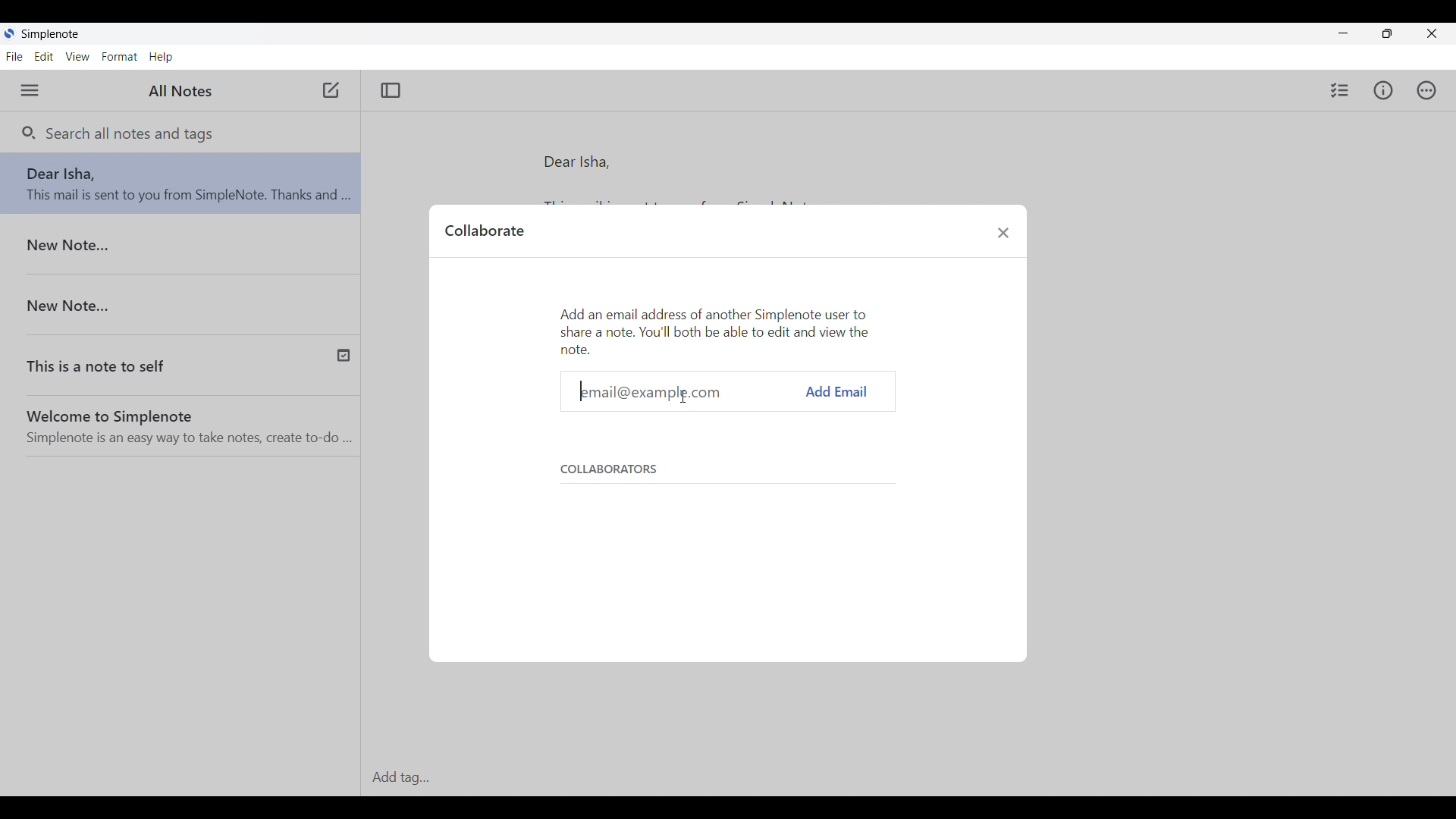 This screenshot has height=819, width=1456. Describe the element at coordinates (391, 90) in the screenshot. I see `Toggle focus mode` at that location.